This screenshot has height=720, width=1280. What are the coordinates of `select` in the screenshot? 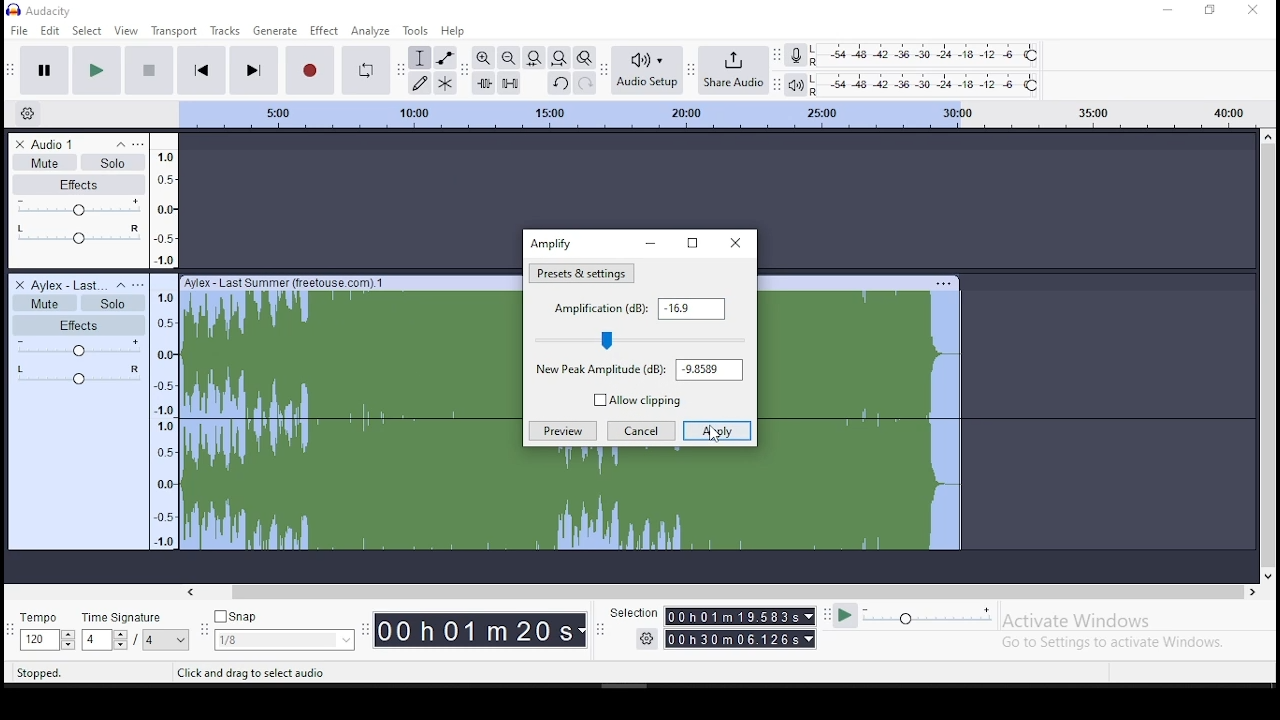 It's located at (88, 30).